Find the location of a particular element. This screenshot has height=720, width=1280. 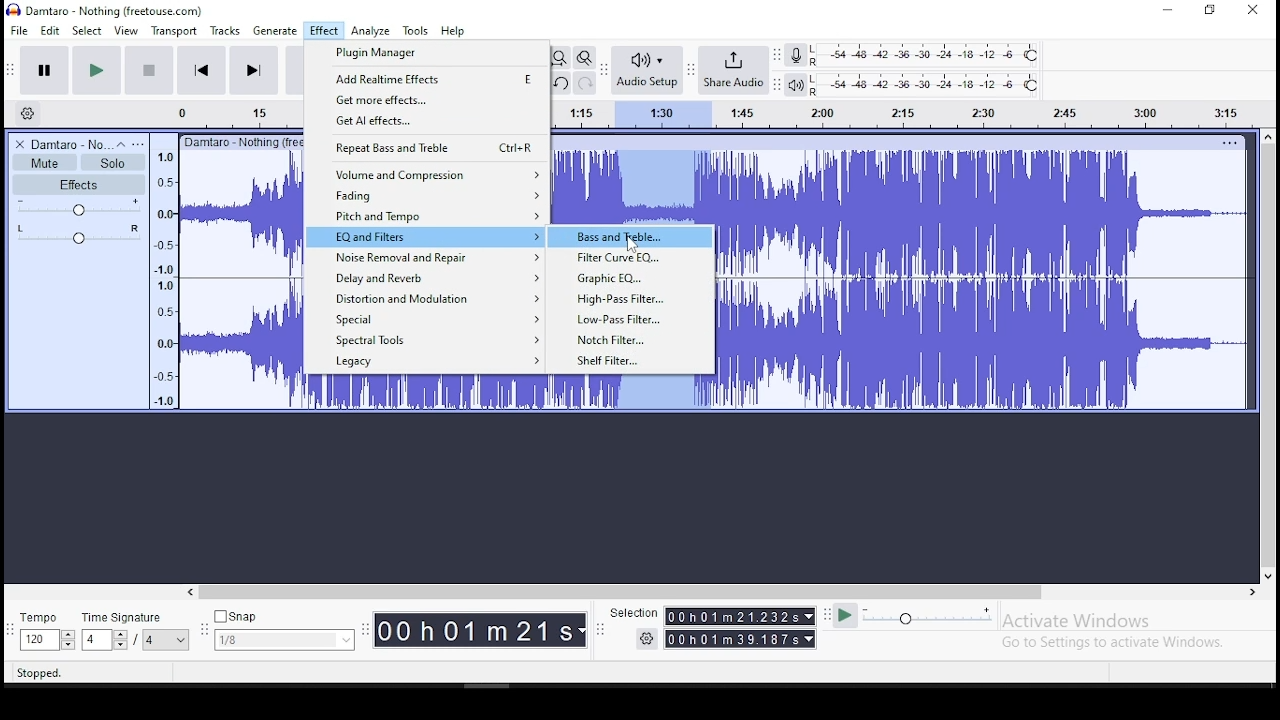

record meter is located at coordinates (796, 54).